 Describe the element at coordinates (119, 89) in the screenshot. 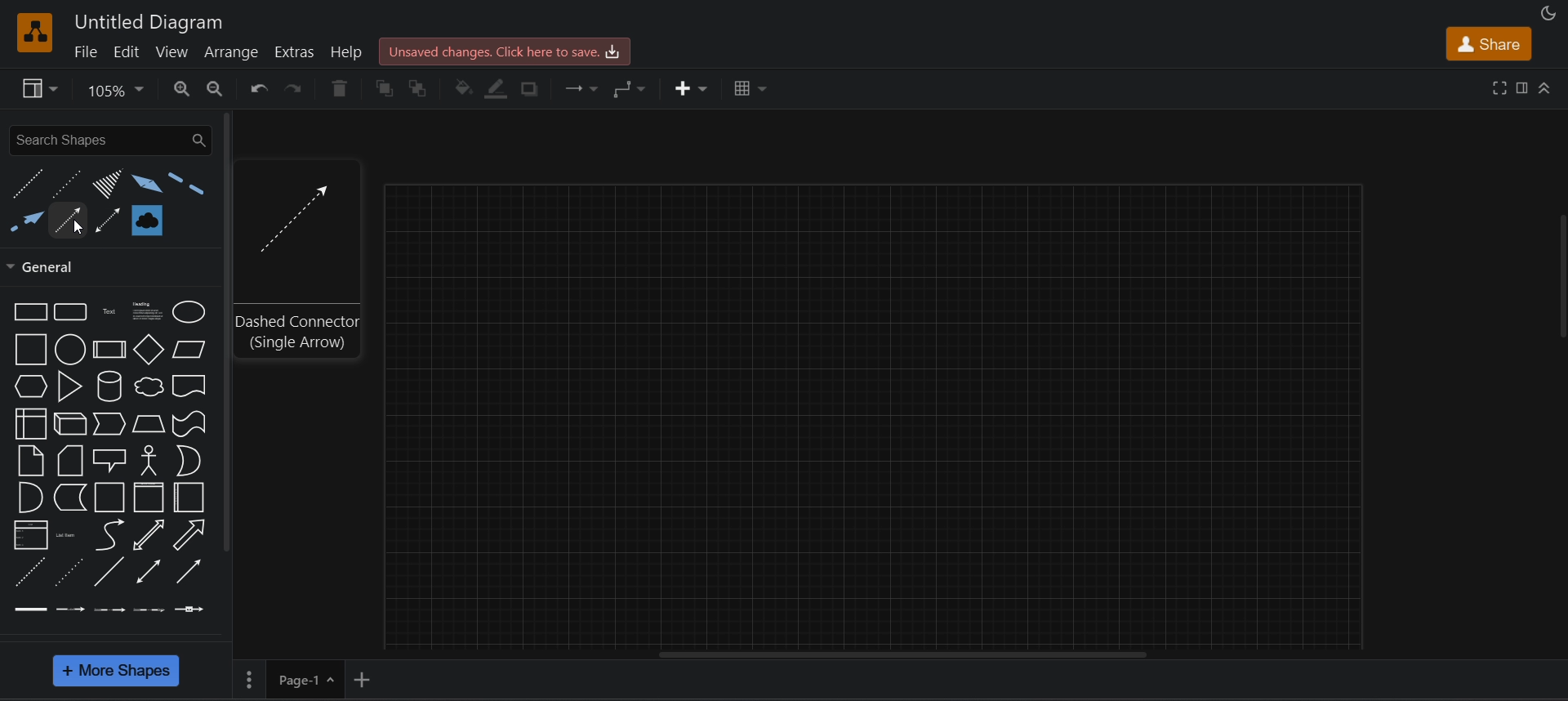

I see `105% - zoom` at that location.